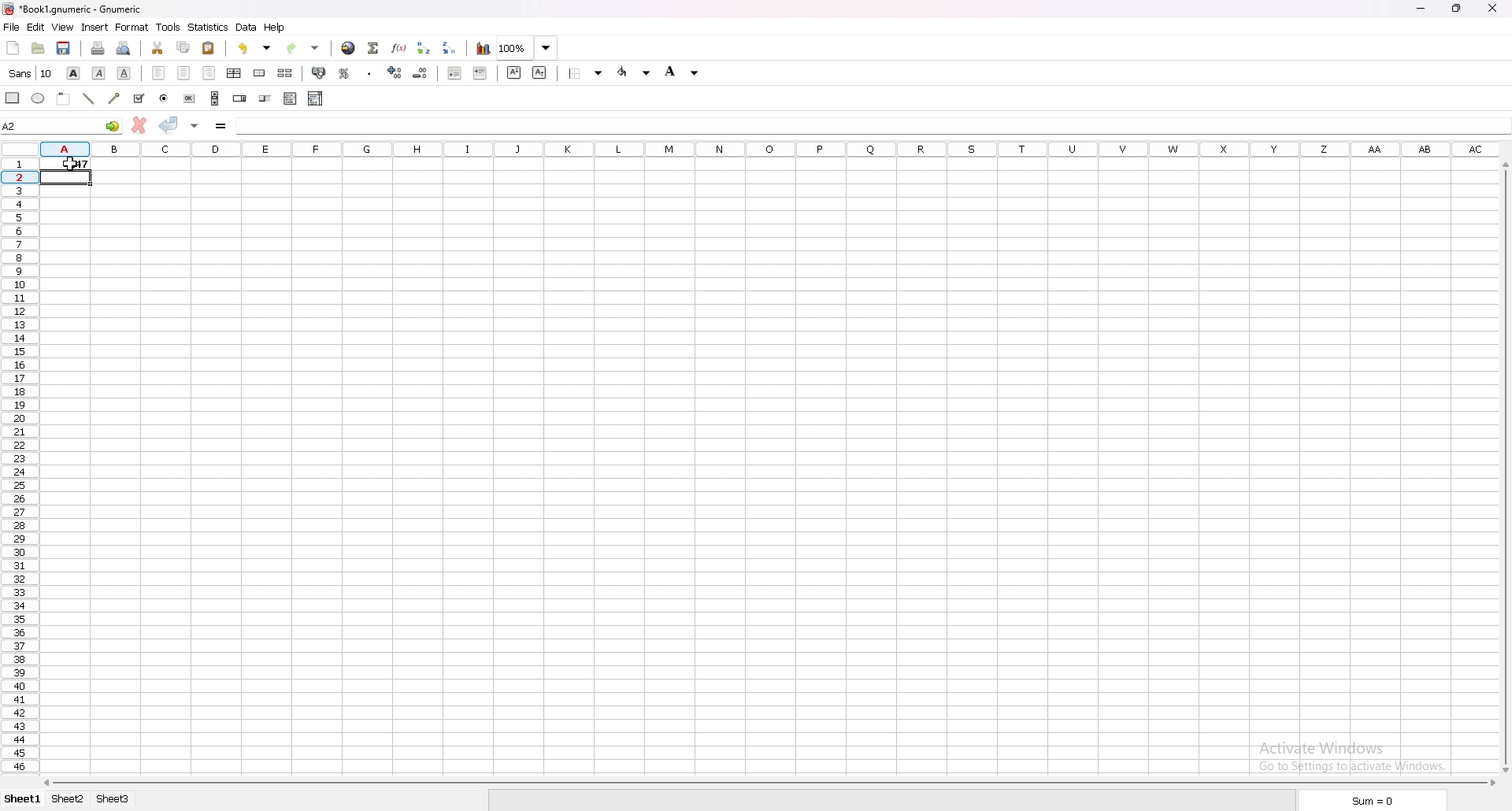  I want to click on arrowed line, so click(115, 98).